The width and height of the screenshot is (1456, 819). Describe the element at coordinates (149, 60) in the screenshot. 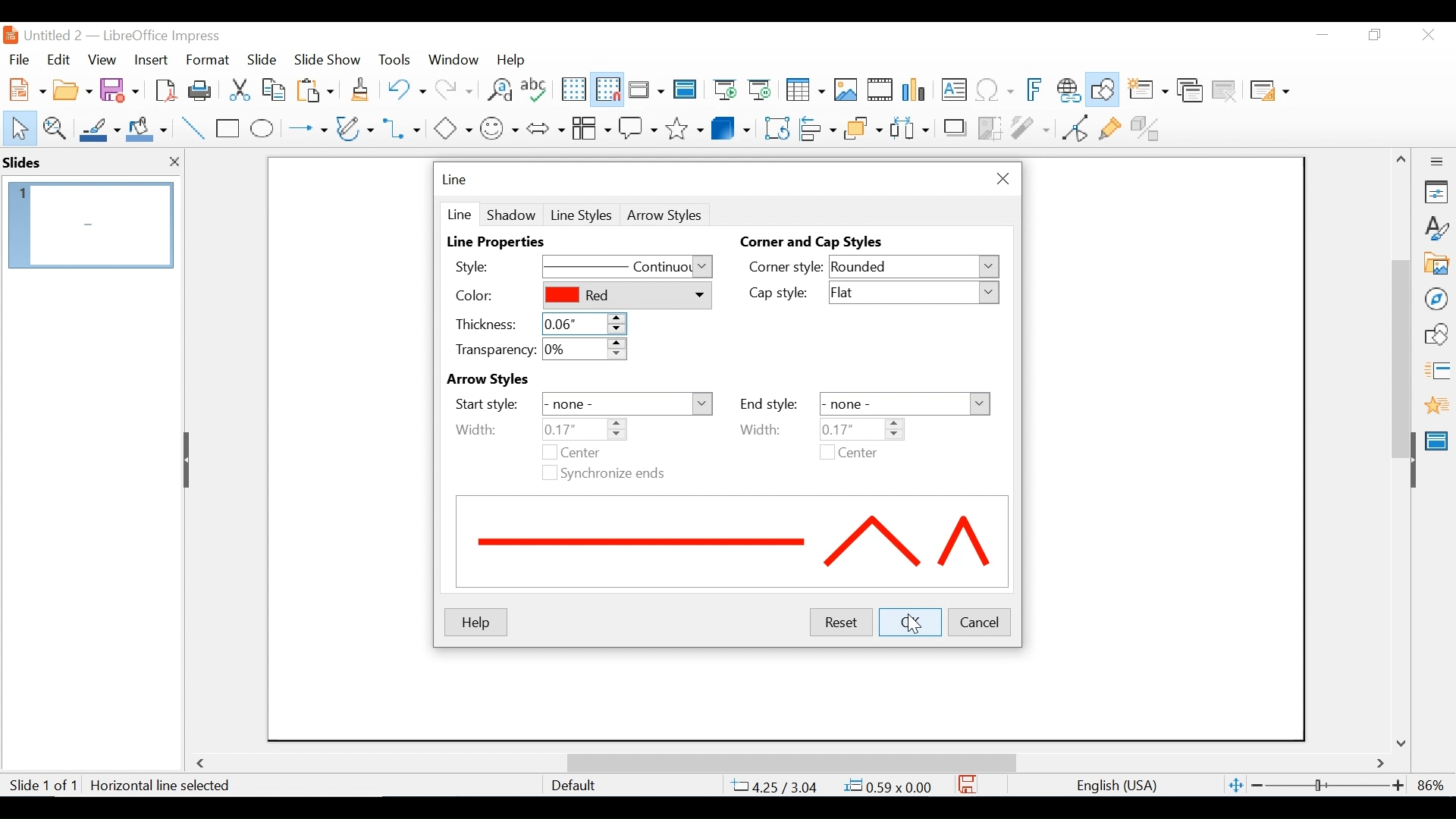

I see `Insert` at that location.